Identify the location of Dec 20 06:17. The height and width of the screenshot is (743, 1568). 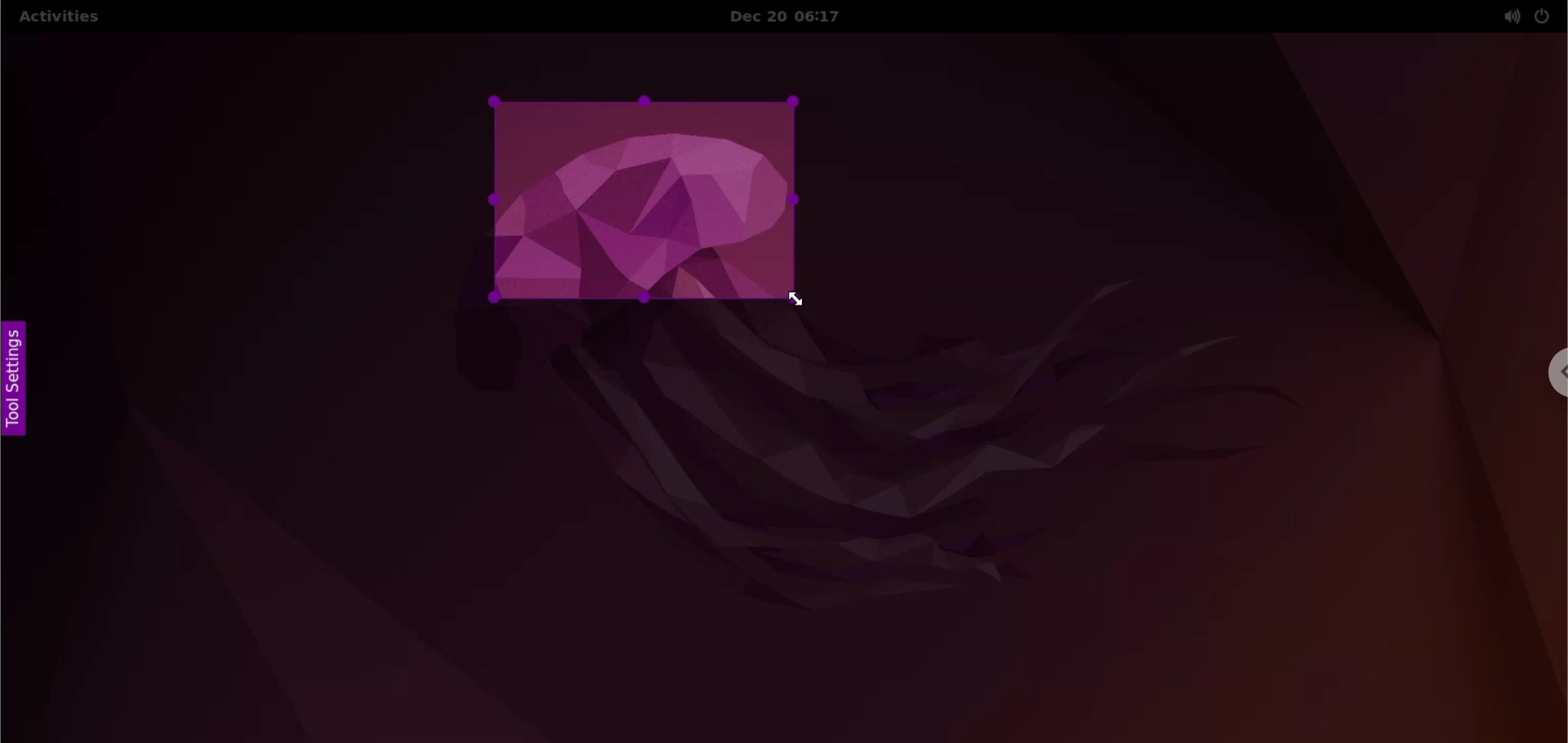
(797, 16).